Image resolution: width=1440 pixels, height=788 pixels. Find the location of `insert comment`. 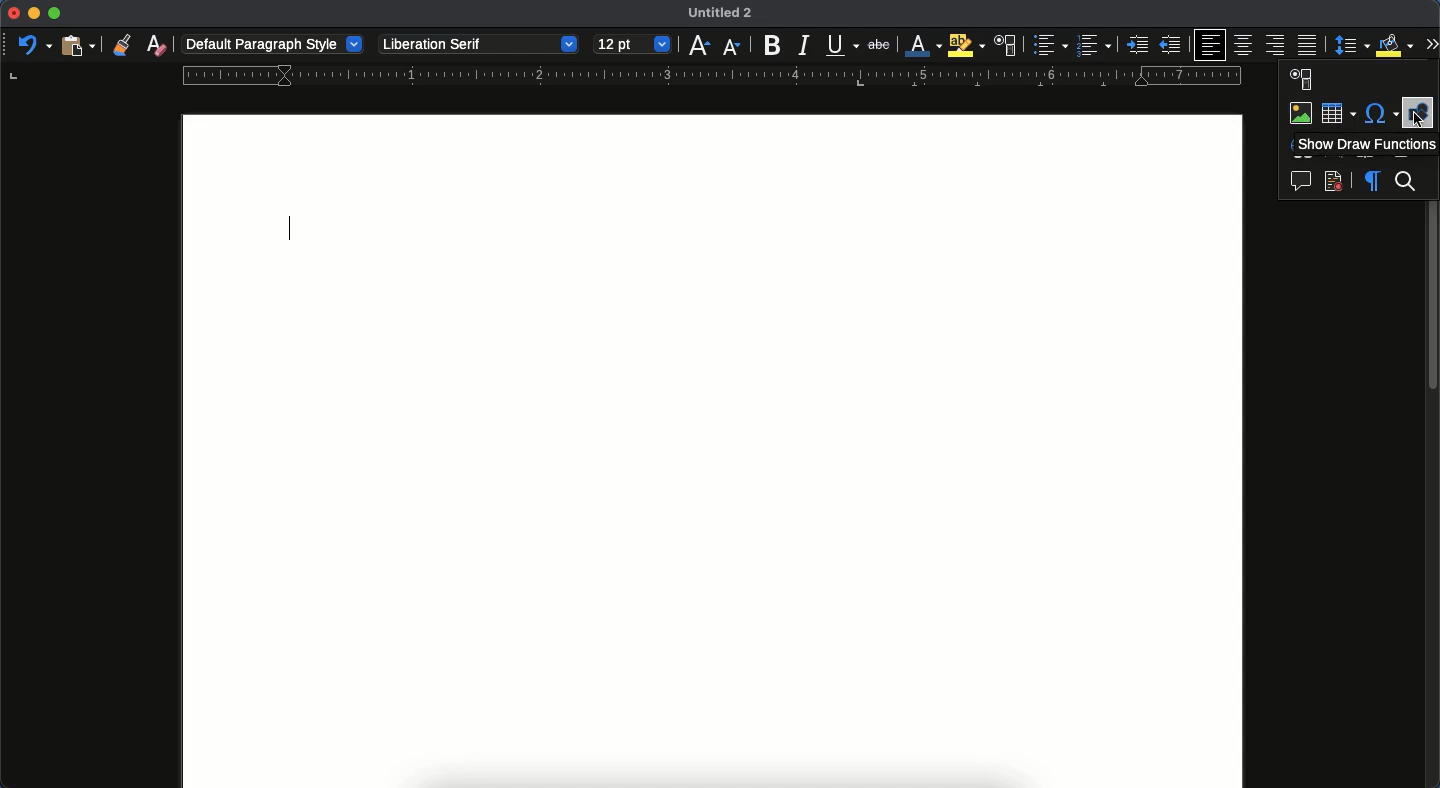

insert comment is located at coordinates (1301, 183).